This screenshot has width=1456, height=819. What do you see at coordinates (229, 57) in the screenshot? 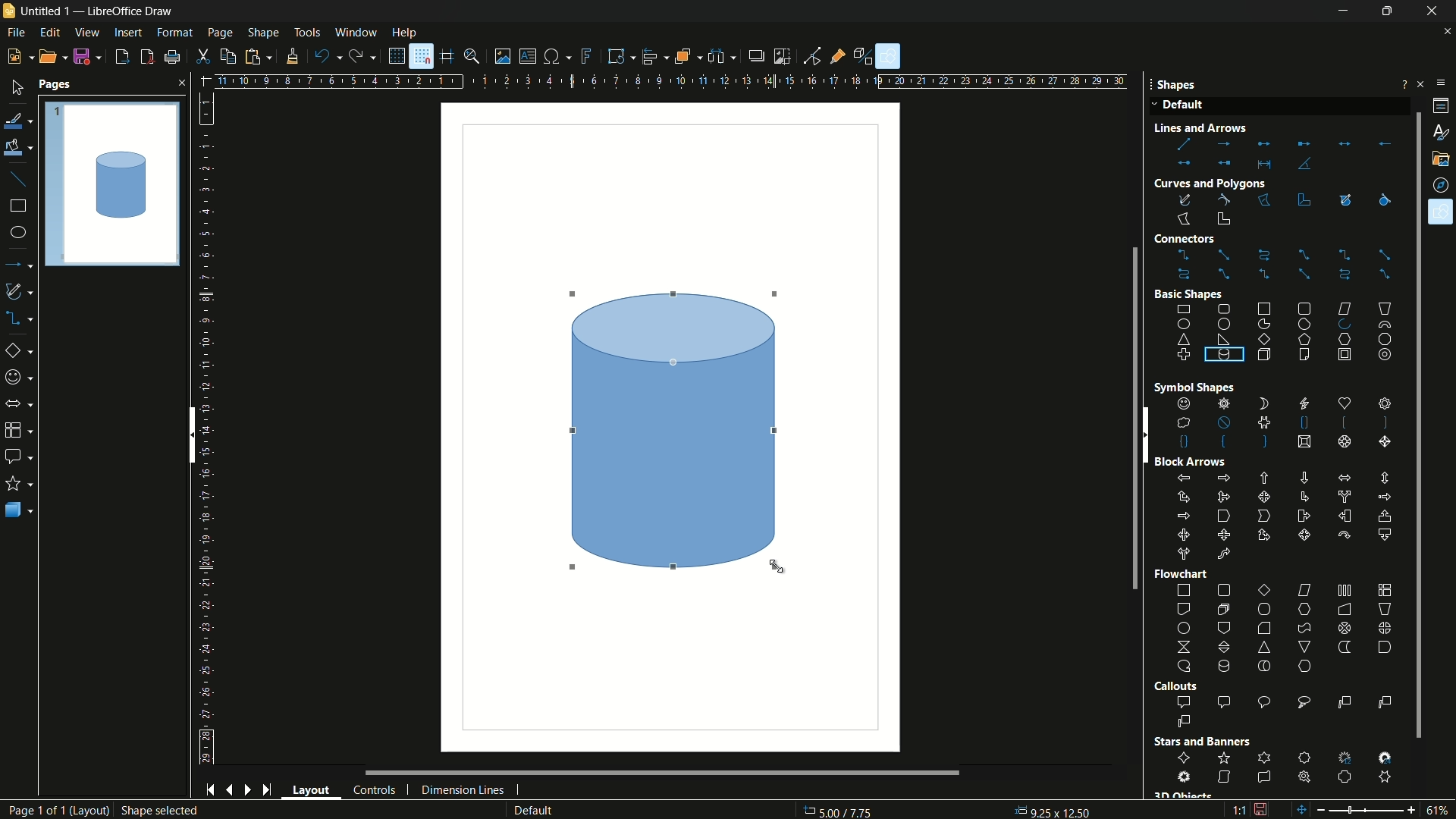
I see `copy` at bounding box center [229, 57].